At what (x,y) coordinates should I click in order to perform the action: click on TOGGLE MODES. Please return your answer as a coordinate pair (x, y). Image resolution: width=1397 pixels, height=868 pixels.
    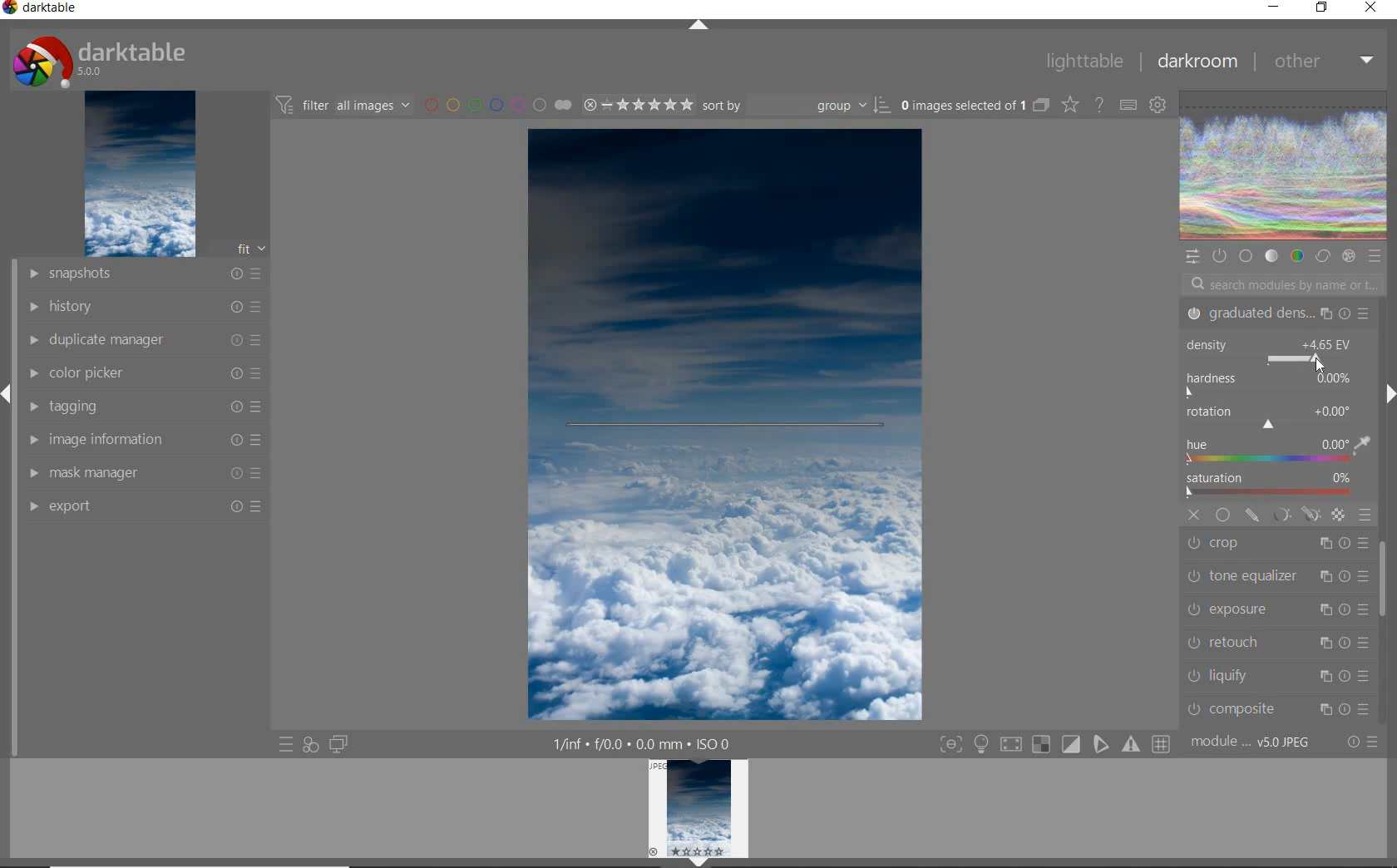
    Looking at the image, I should click on (1054, 747).